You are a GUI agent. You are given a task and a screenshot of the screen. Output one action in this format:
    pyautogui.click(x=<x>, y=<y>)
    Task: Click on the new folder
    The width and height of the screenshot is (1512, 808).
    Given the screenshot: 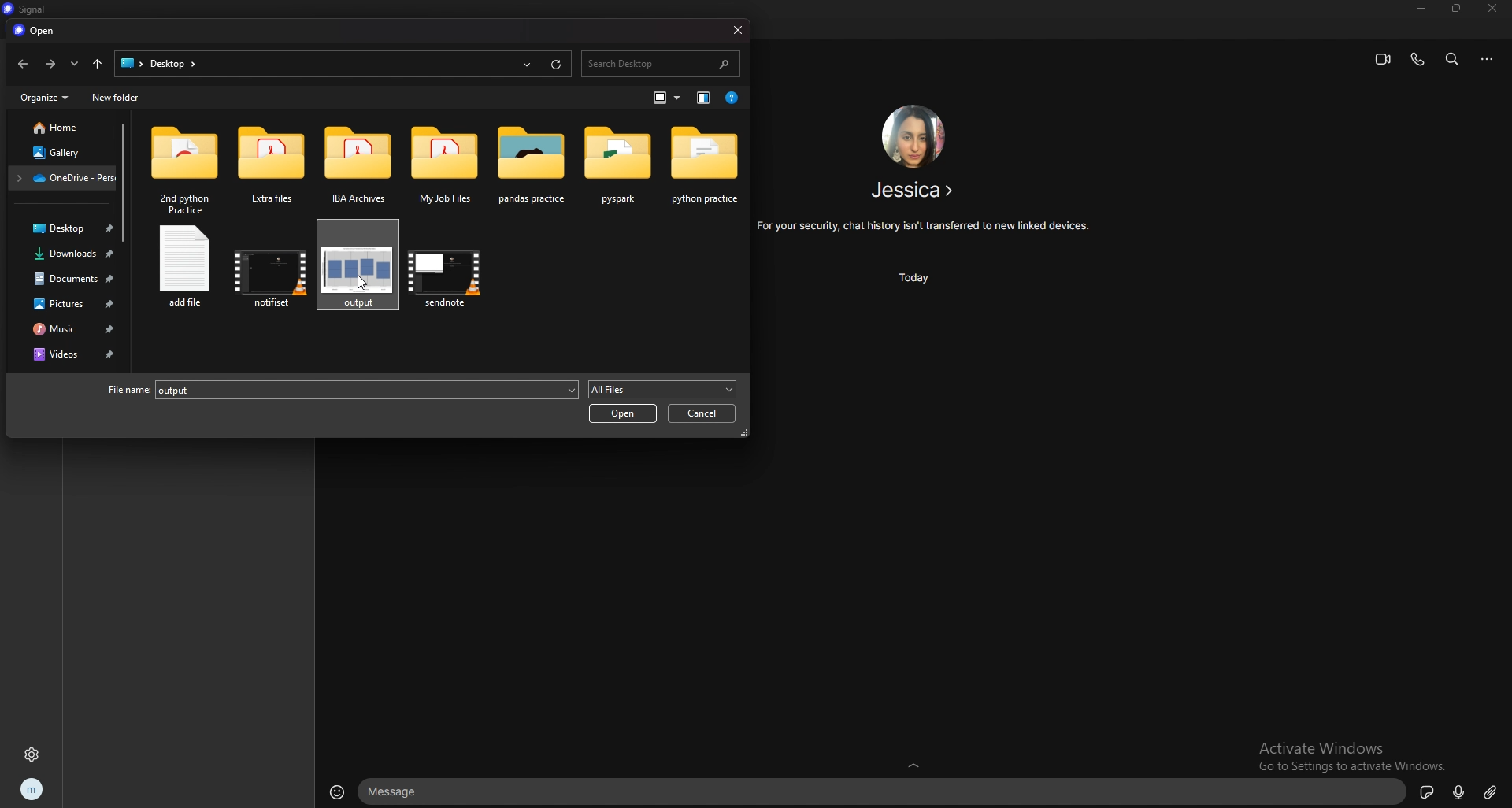 What is the action you would take?
    pyautogui.click(x=115, y=98)
    